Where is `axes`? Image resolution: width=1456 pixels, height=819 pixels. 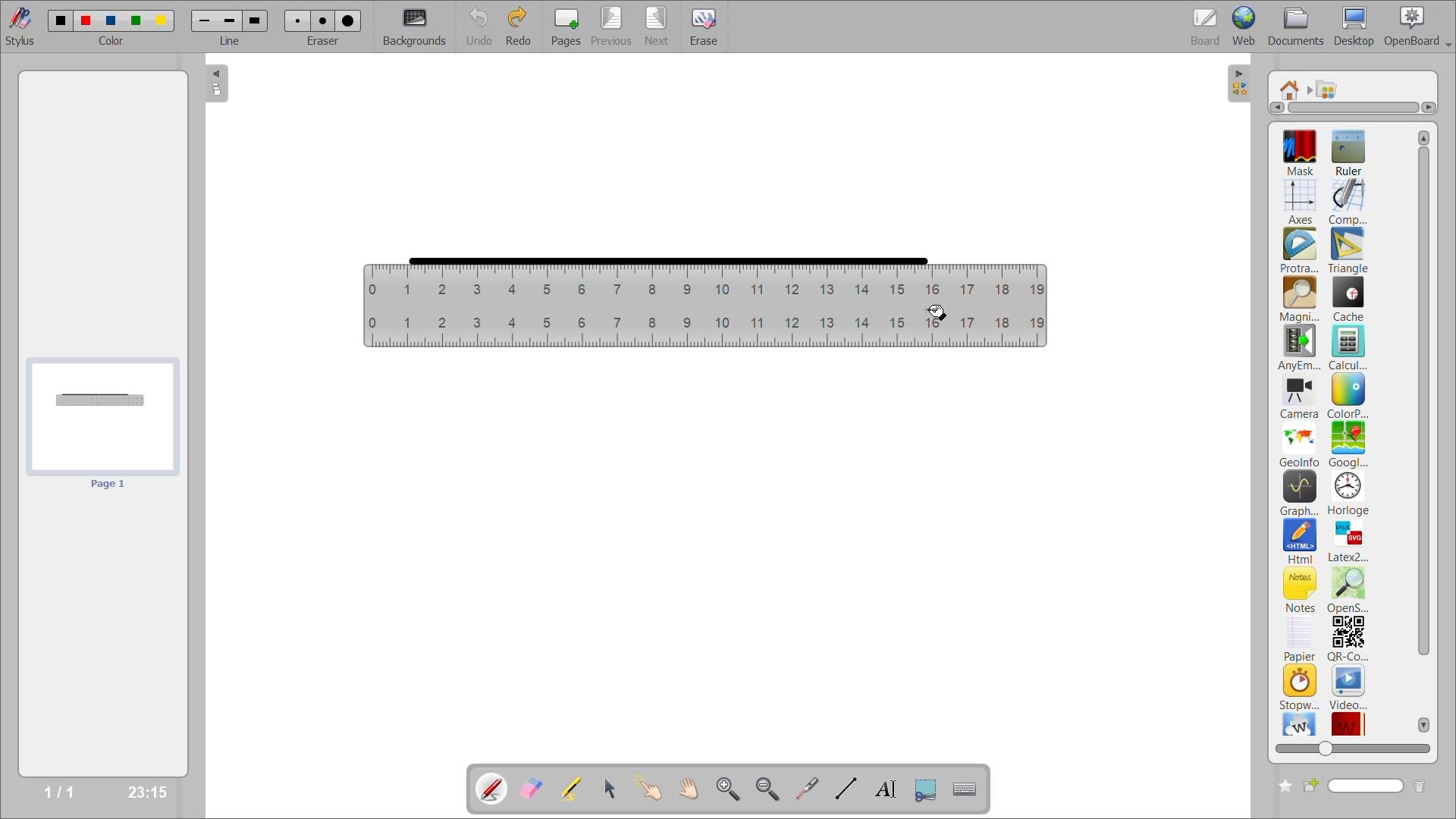 axes is located at coordinates (1303, 199).